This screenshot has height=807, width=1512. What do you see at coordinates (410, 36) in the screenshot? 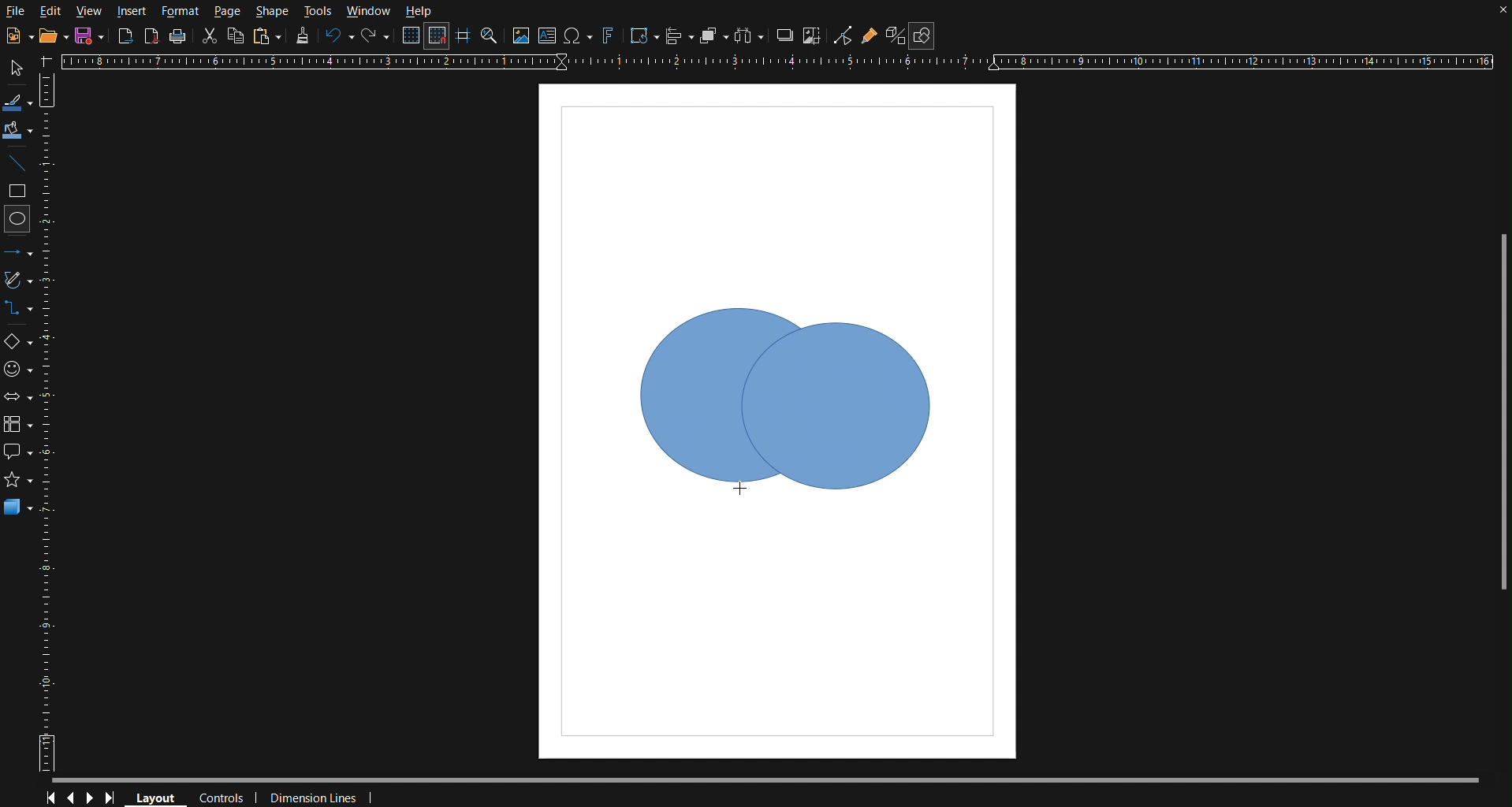
I see `Display Grid` at bounding box center [410, 36].